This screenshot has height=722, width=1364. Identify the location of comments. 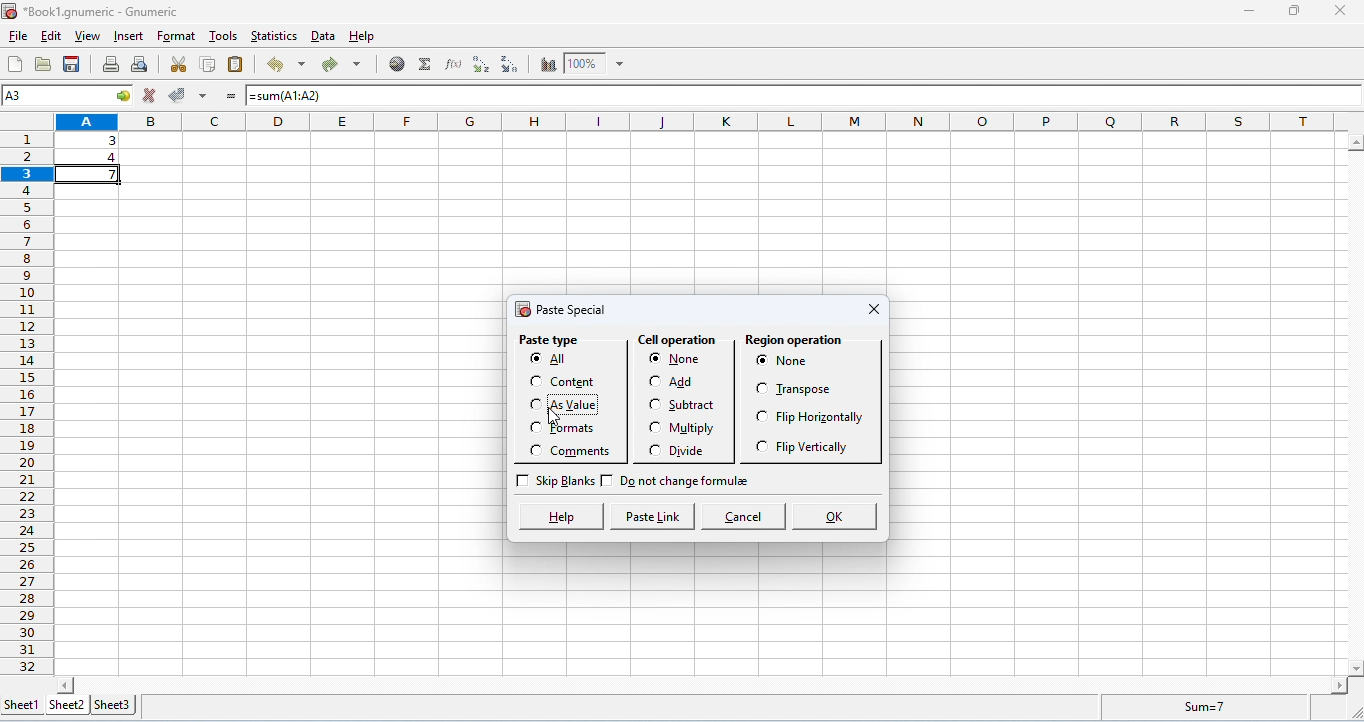
(586, 452).